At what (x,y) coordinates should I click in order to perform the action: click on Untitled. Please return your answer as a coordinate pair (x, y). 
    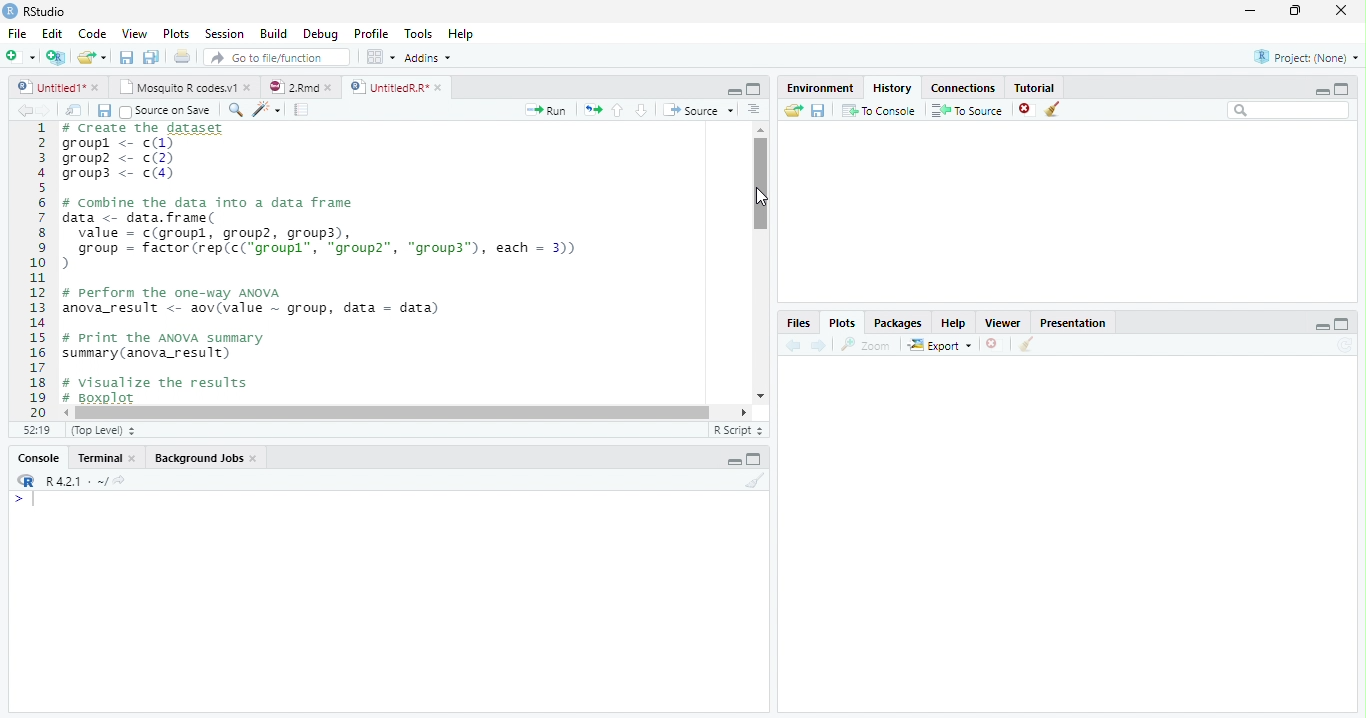
    Looking at the image, I should click on (59, 87).